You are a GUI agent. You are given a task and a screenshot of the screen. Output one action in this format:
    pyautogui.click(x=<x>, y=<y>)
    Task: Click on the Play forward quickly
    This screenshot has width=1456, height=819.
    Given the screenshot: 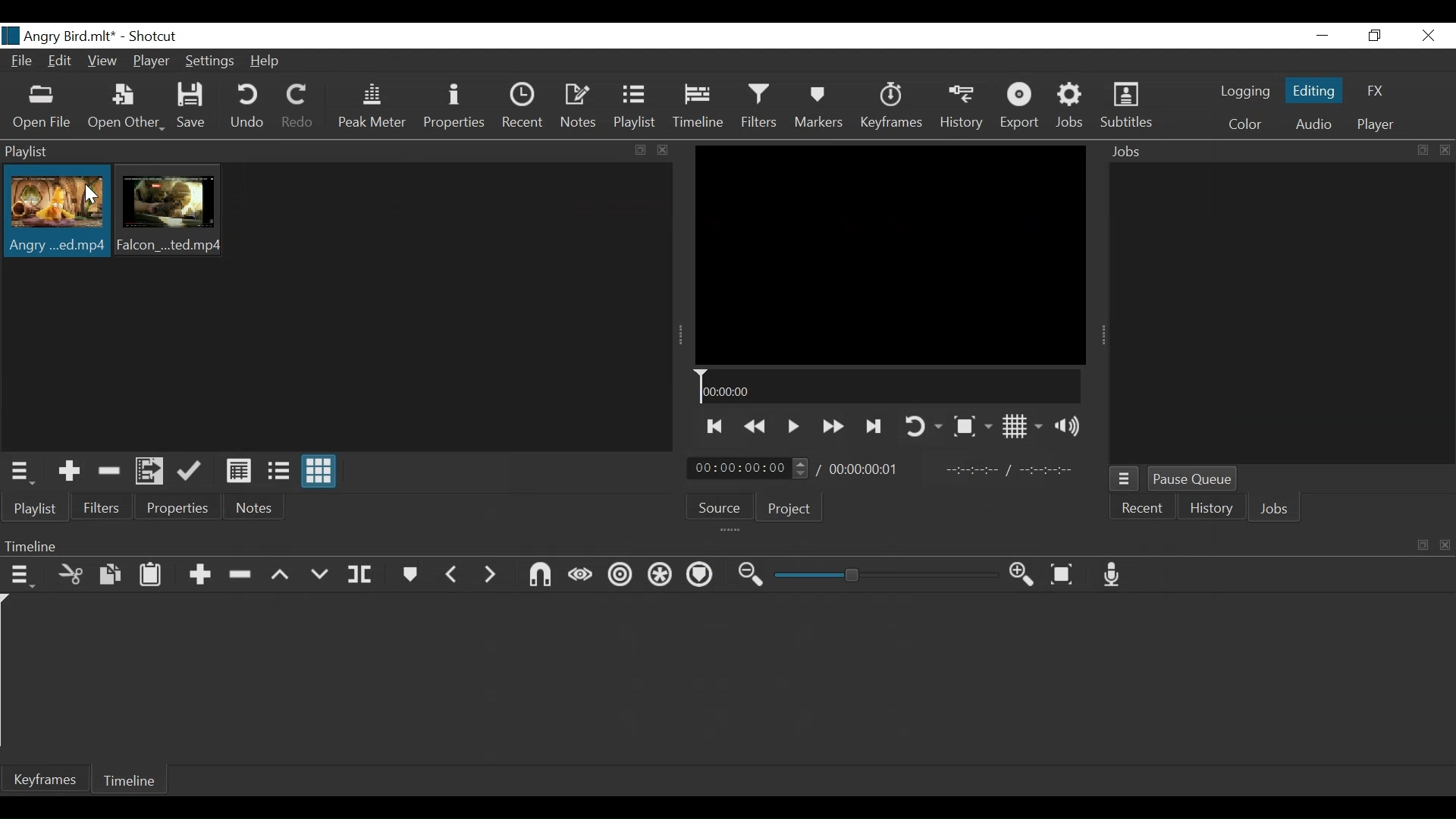 What is the action you would take?
    pyautogui.click(x=832, y=427)
    